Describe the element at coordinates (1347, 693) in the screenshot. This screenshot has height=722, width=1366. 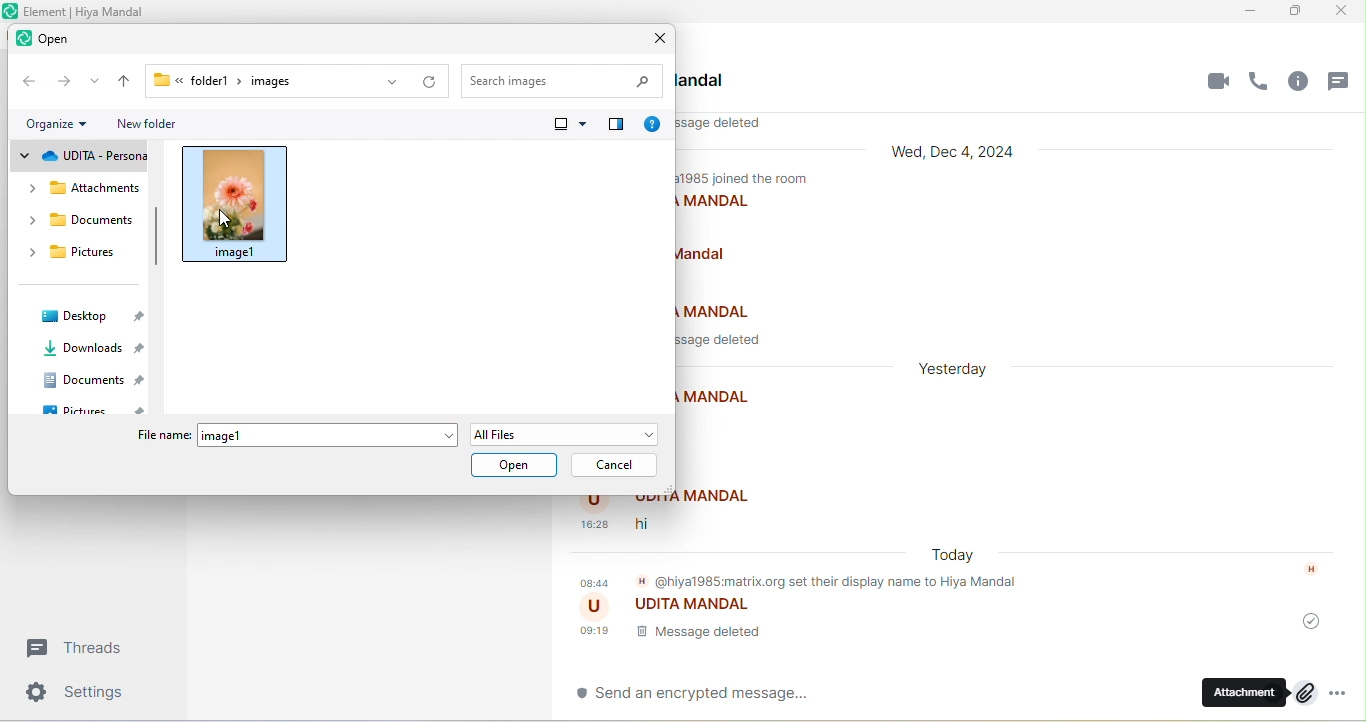
I see `more option` at that location.